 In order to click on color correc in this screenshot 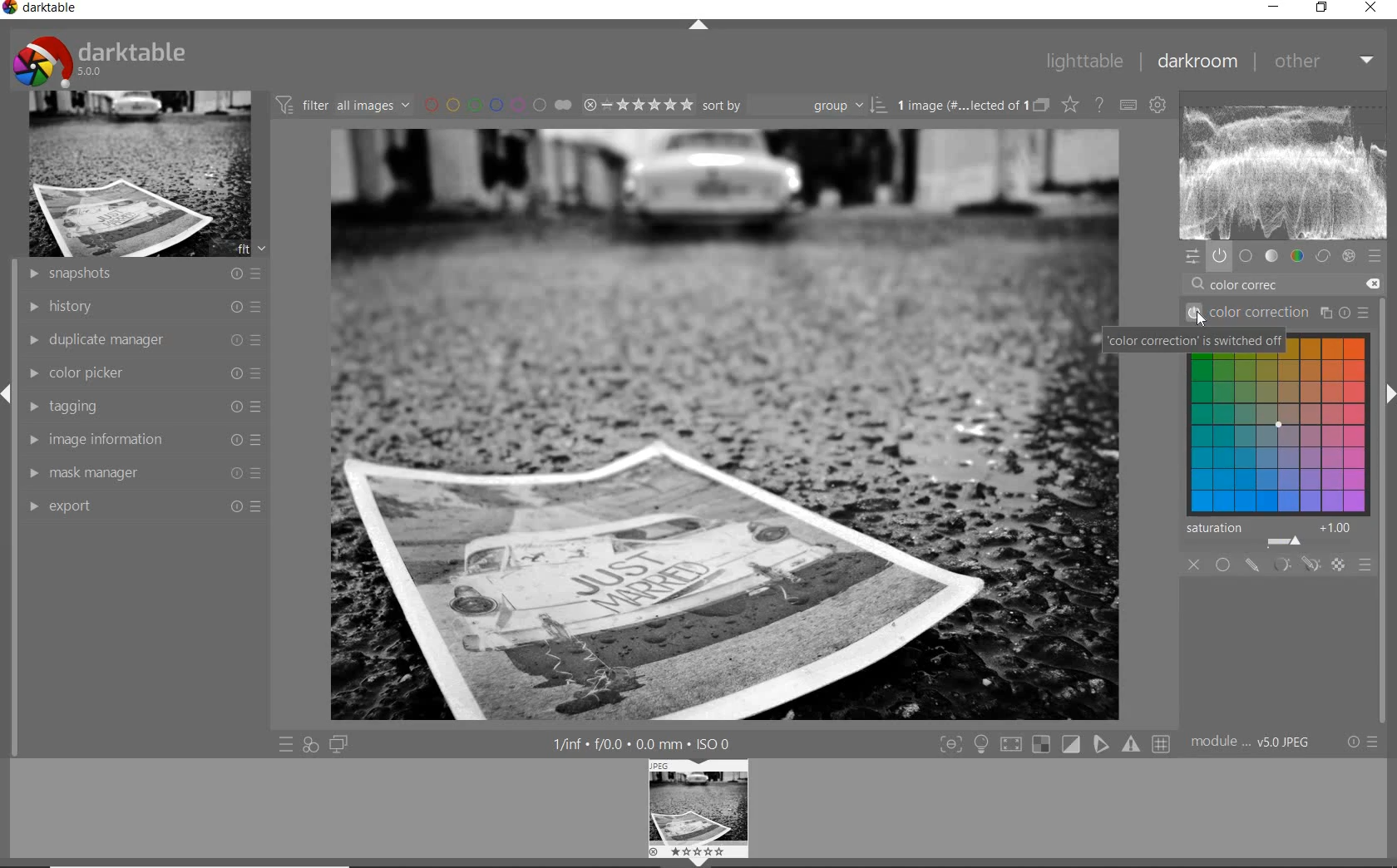, I will do `click(1256, 286)`.